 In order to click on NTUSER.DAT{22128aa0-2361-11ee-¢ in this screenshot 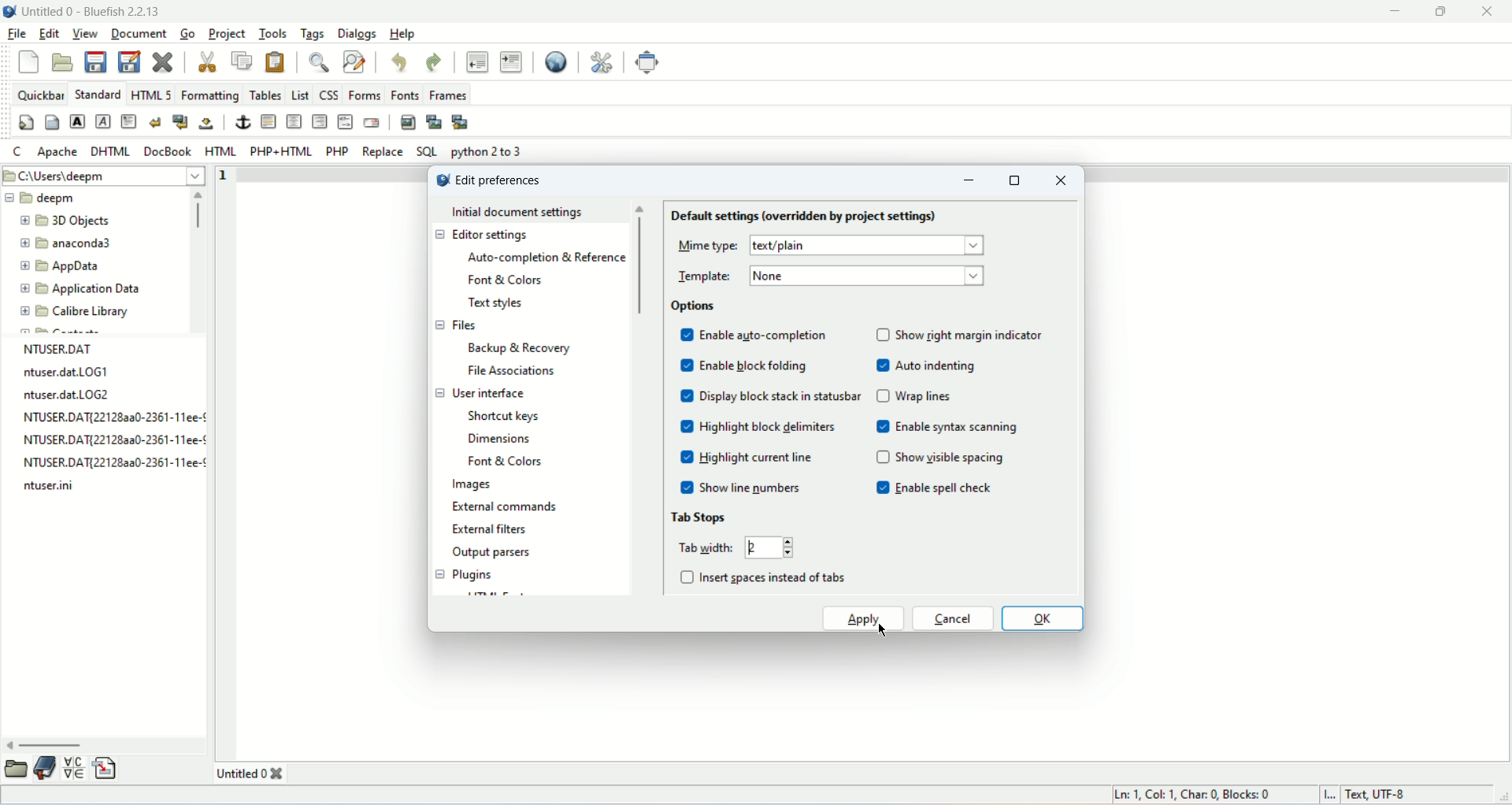, I will do `click(109, 463)`.